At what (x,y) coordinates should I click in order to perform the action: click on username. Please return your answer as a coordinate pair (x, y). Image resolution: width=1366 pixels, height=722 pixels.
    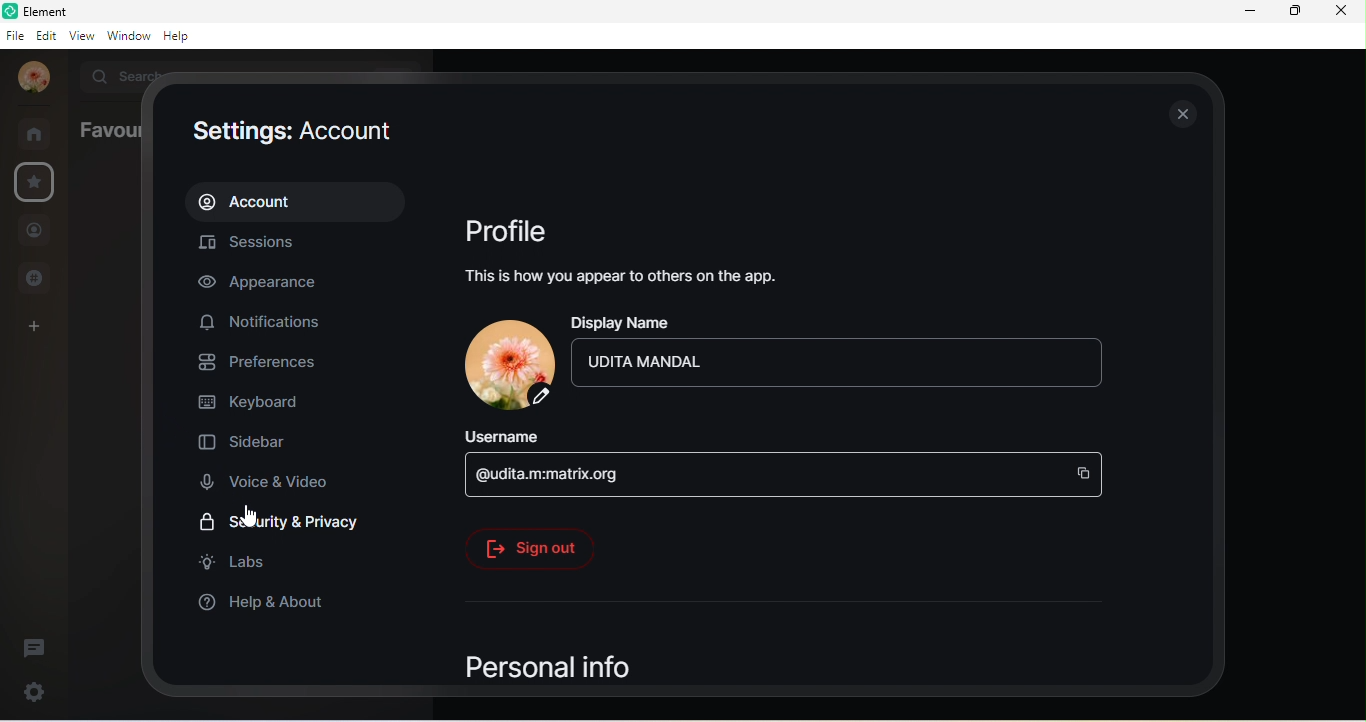
    Looking at the image, I should click on (508, 436).